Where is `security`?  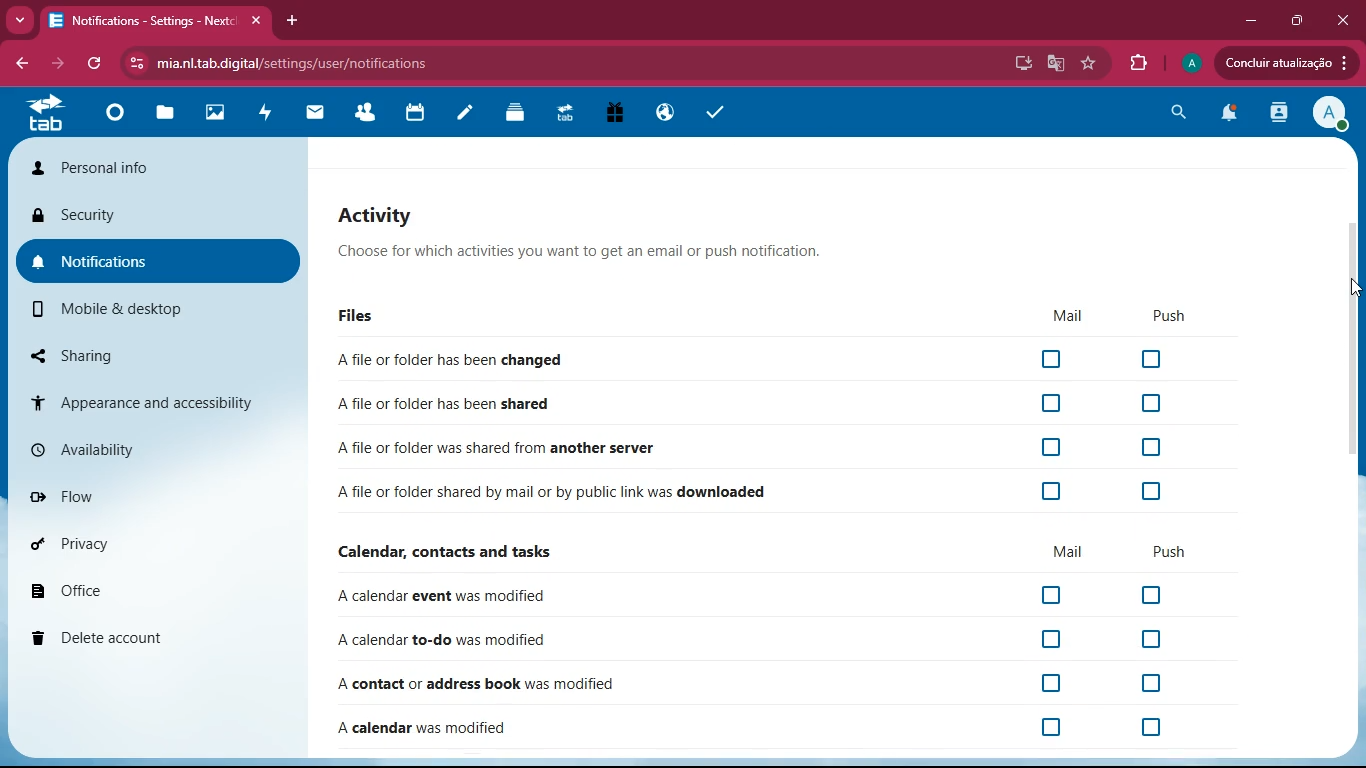
security is located at coordinates (160, 217).